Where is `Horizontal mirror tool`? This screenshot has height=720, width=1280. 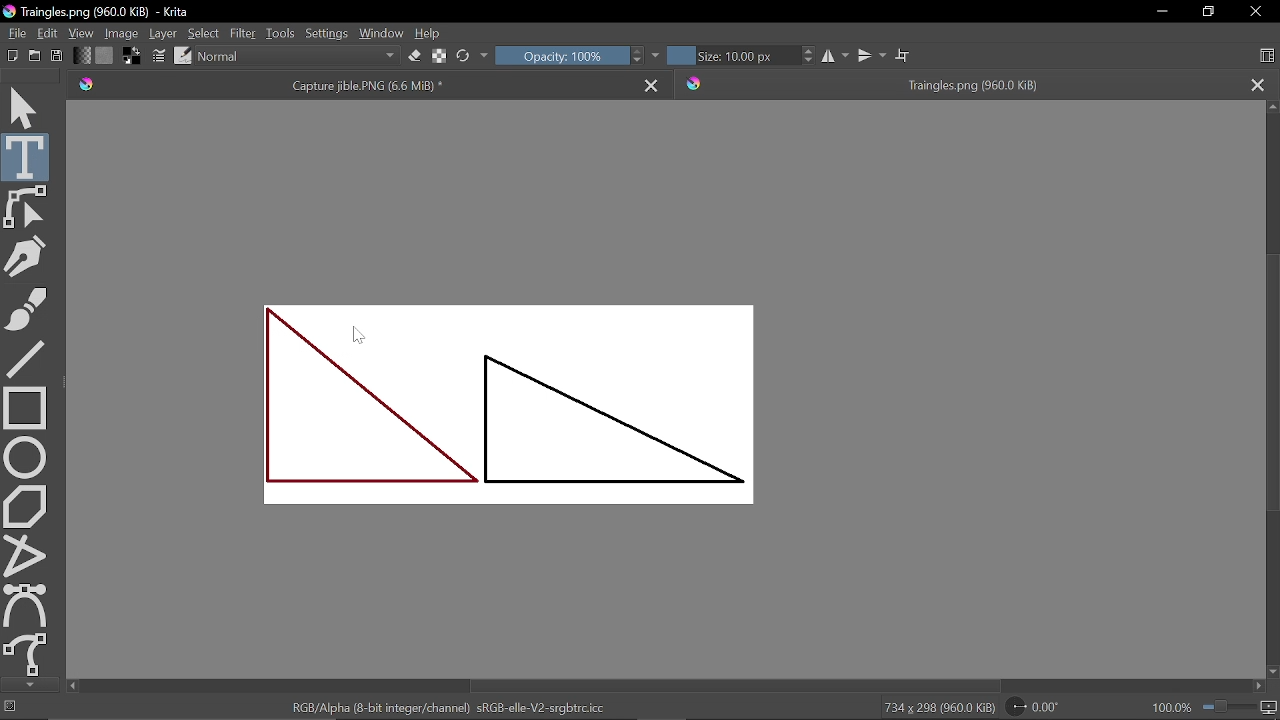
Horizontal mirror tool is located at coordinates (834, 56).